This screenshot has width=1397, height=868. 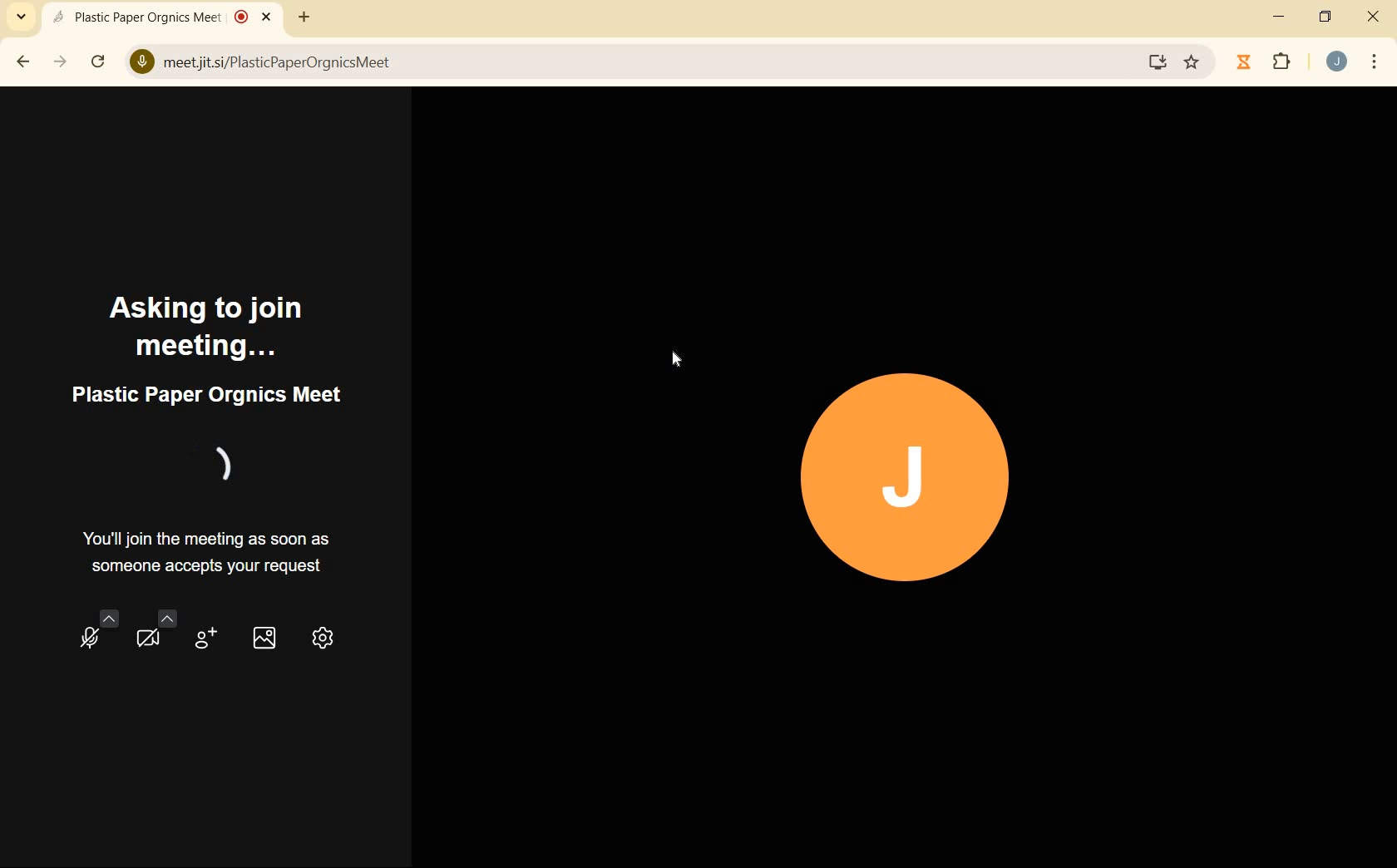 What do you see at coordinates (96, 635) in the screenshot?
I see `microphone` at bounding box center [96, 635].